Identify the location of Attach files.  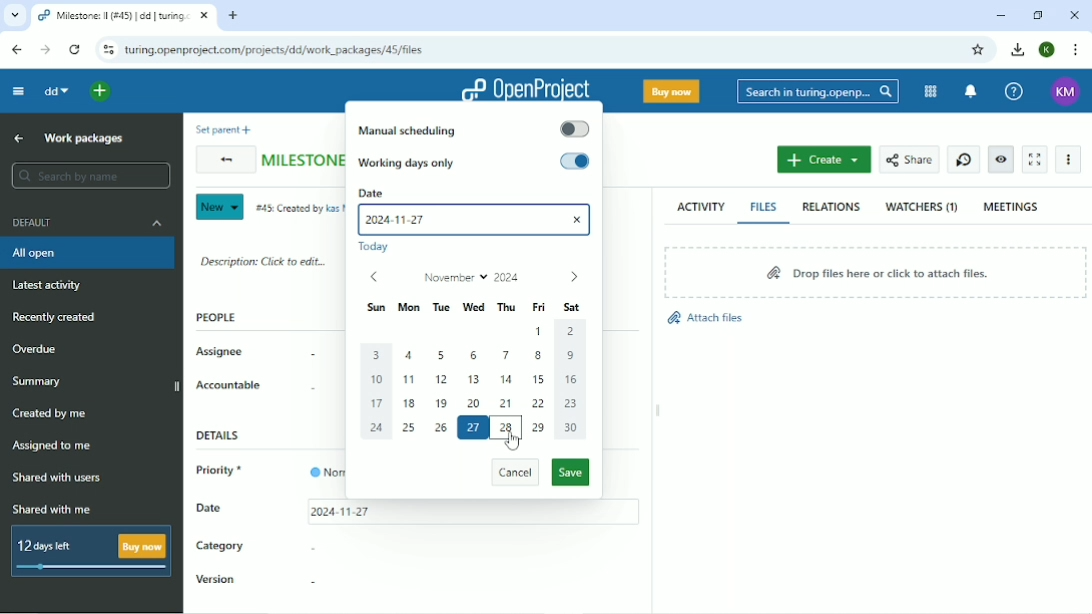
(704, 318).